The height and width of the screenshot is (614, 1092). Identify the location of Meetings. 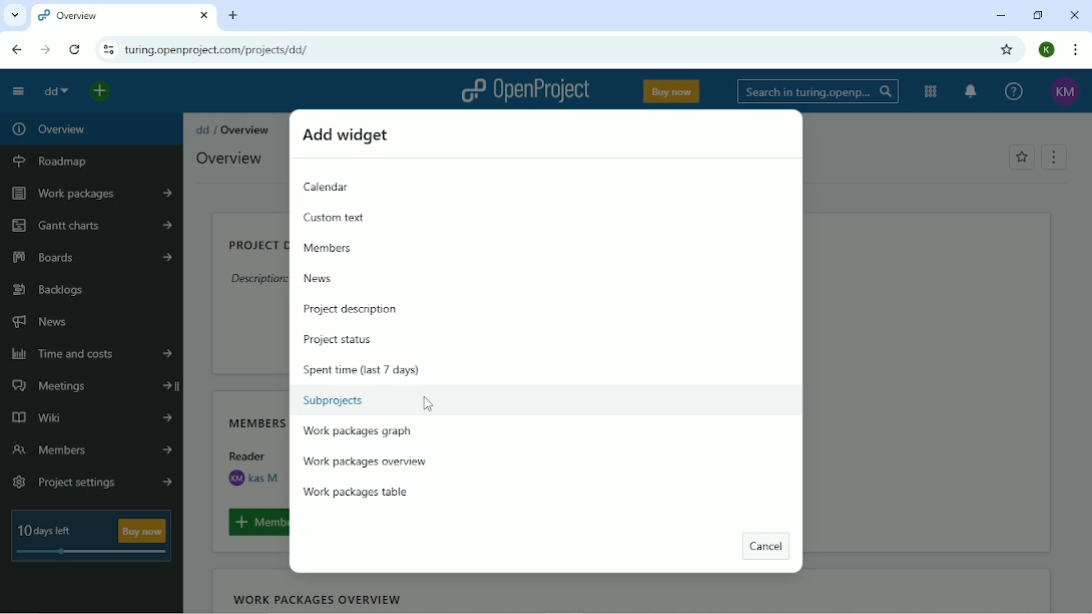
(93, 387).